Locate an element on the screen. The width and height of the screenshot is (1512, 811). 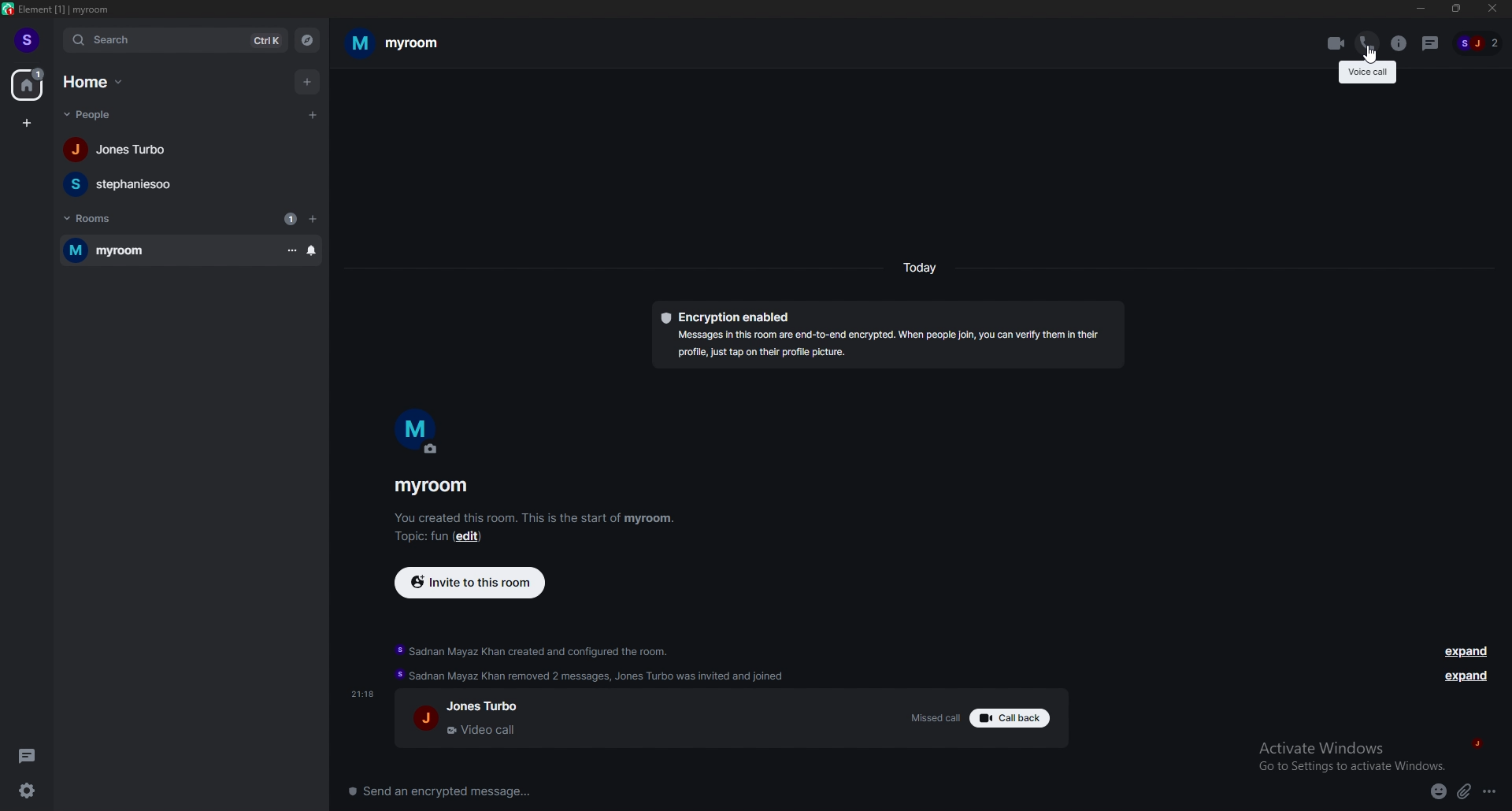
threads is located at coordinates (1432, 44).